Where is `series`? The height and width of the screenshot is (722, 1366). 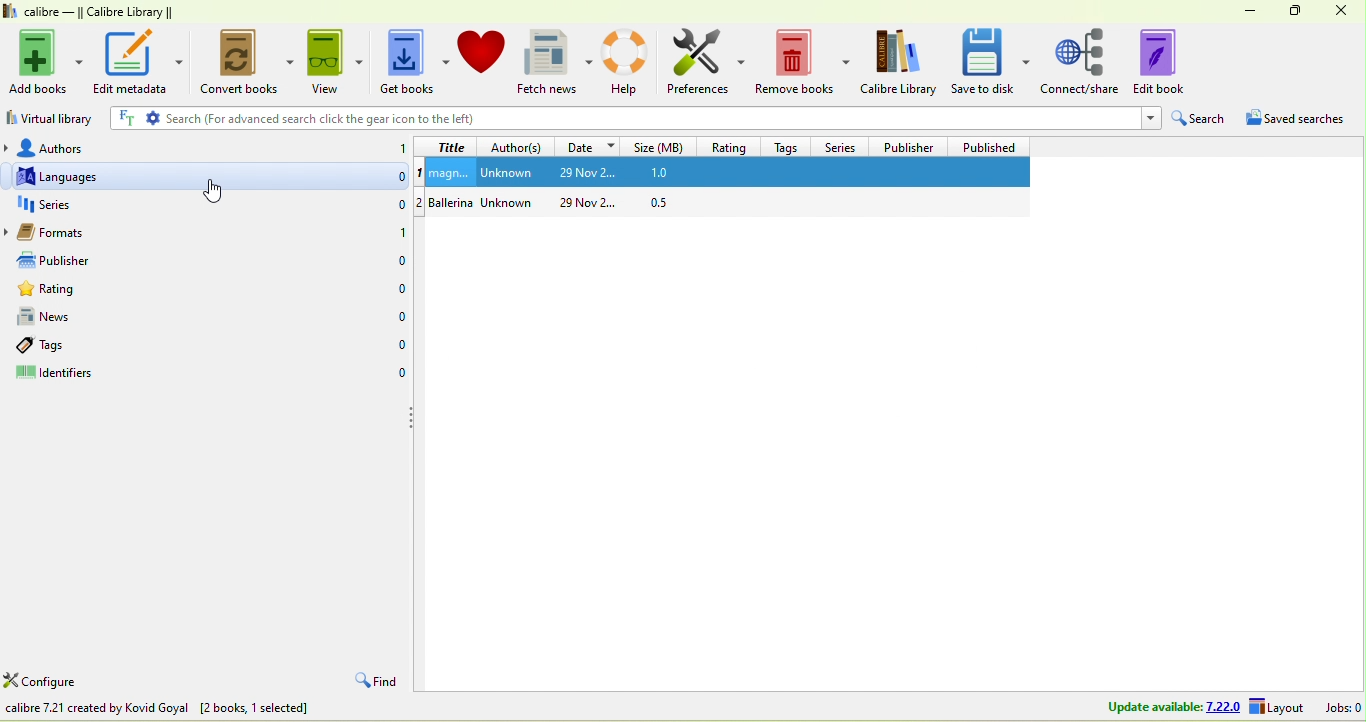 series is located at coordinates (834, 147).